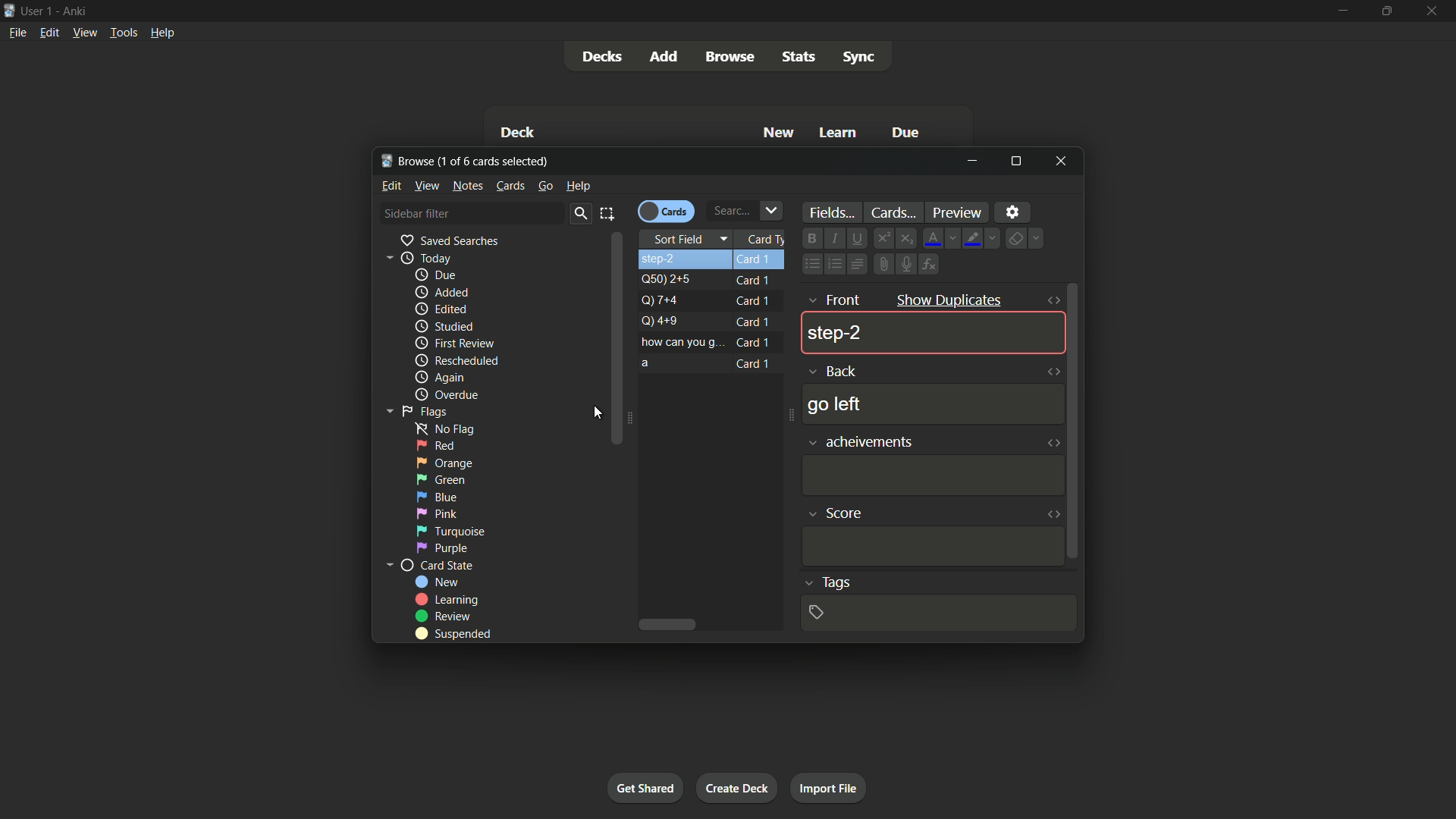 The width and height of the screenshot is (1456, 819). What do you see at coordinates (818, 612) in the screenshot?
I see `Add tag` at bounding box center [818, 612].